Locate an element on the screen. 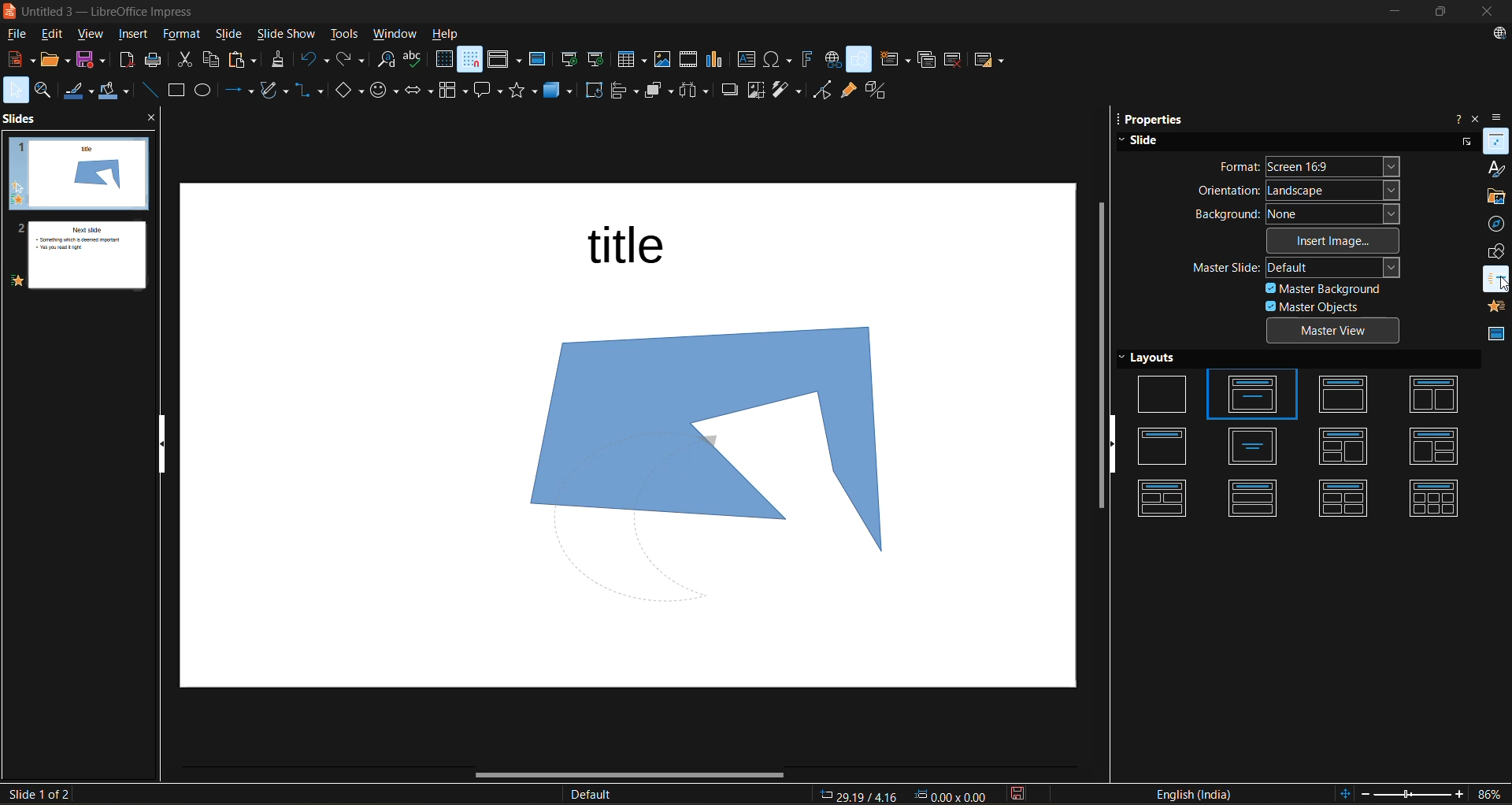 The image size is (1512, 805). select is located at coordinates (15, 92).